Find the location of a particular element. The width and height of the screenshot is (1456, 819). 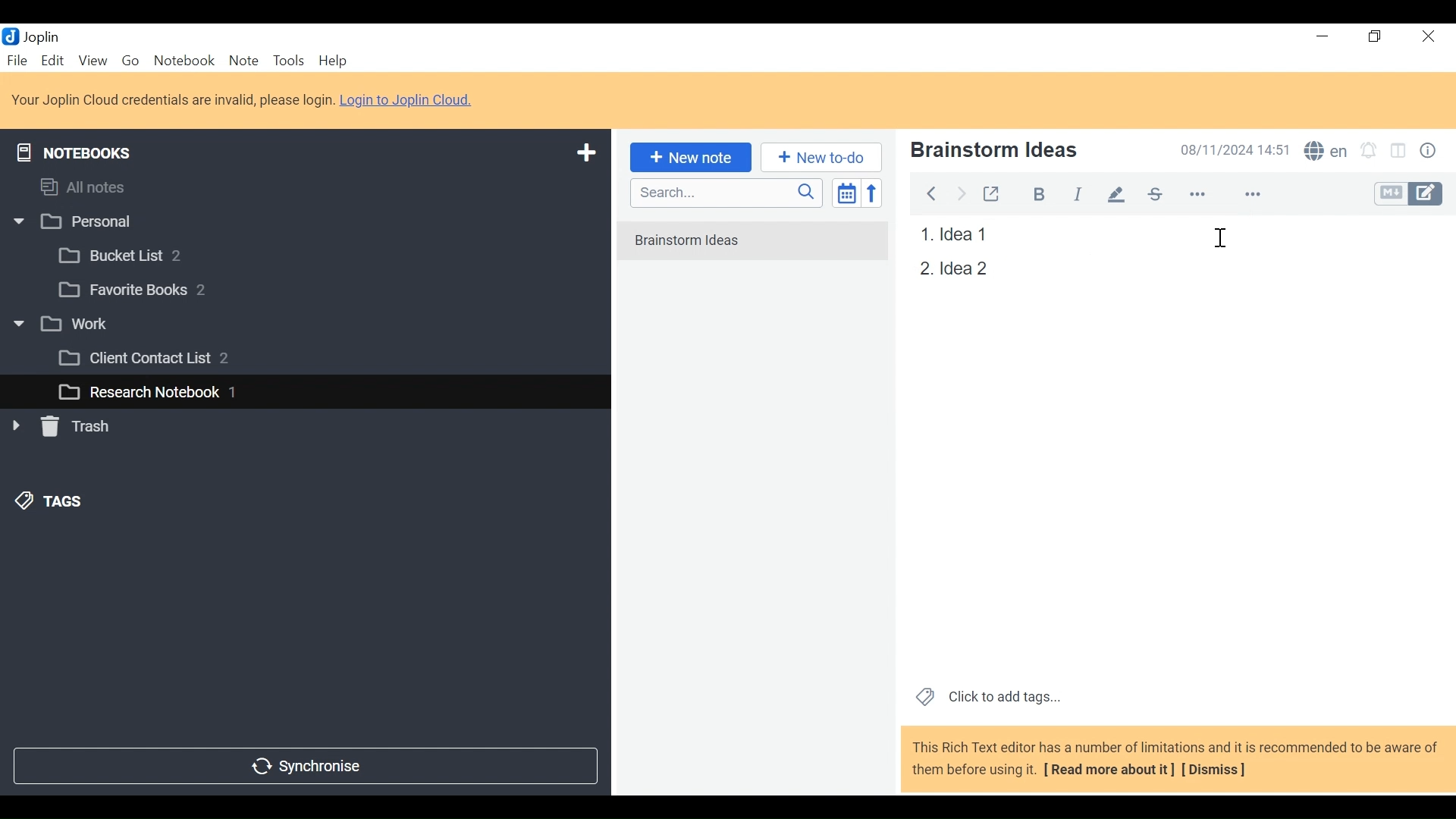

Login to Joplin Cloud is located at coordinates (411, 100).